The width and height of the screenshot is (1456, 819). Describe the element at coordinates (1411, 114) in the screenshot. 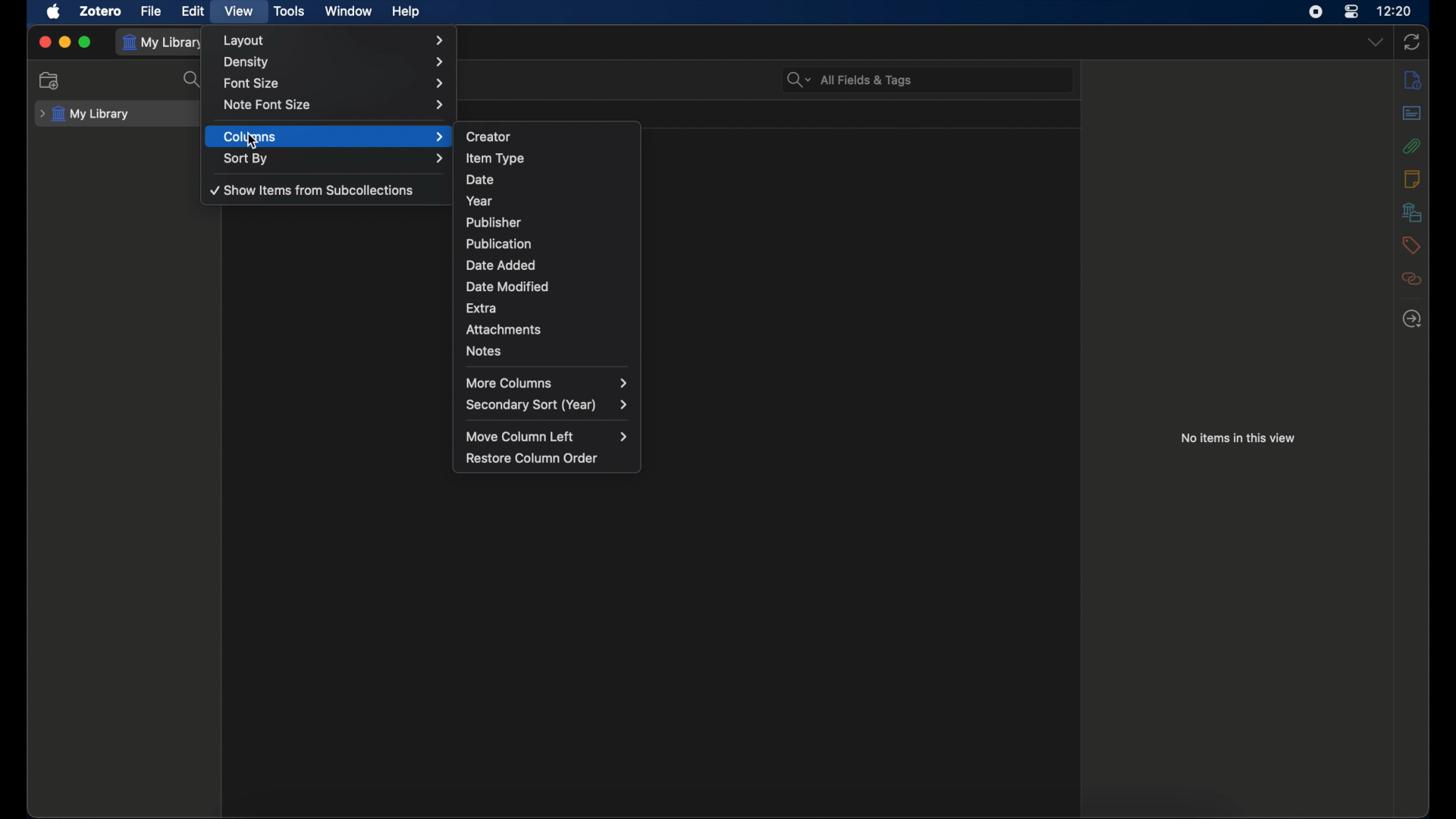

I see `abstract` at that location.